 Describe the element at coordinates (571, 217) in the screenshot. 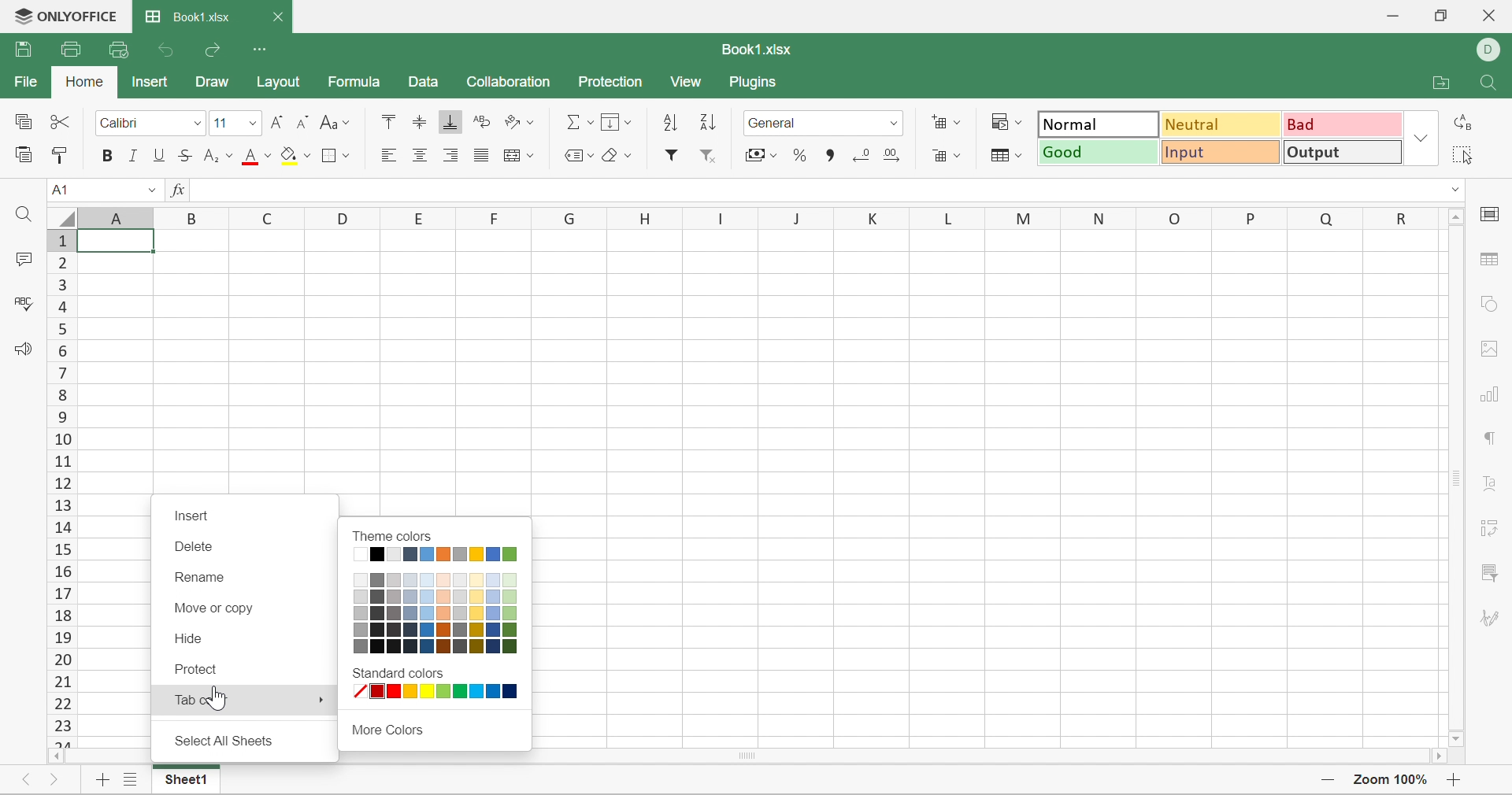

I see `G` at that location.